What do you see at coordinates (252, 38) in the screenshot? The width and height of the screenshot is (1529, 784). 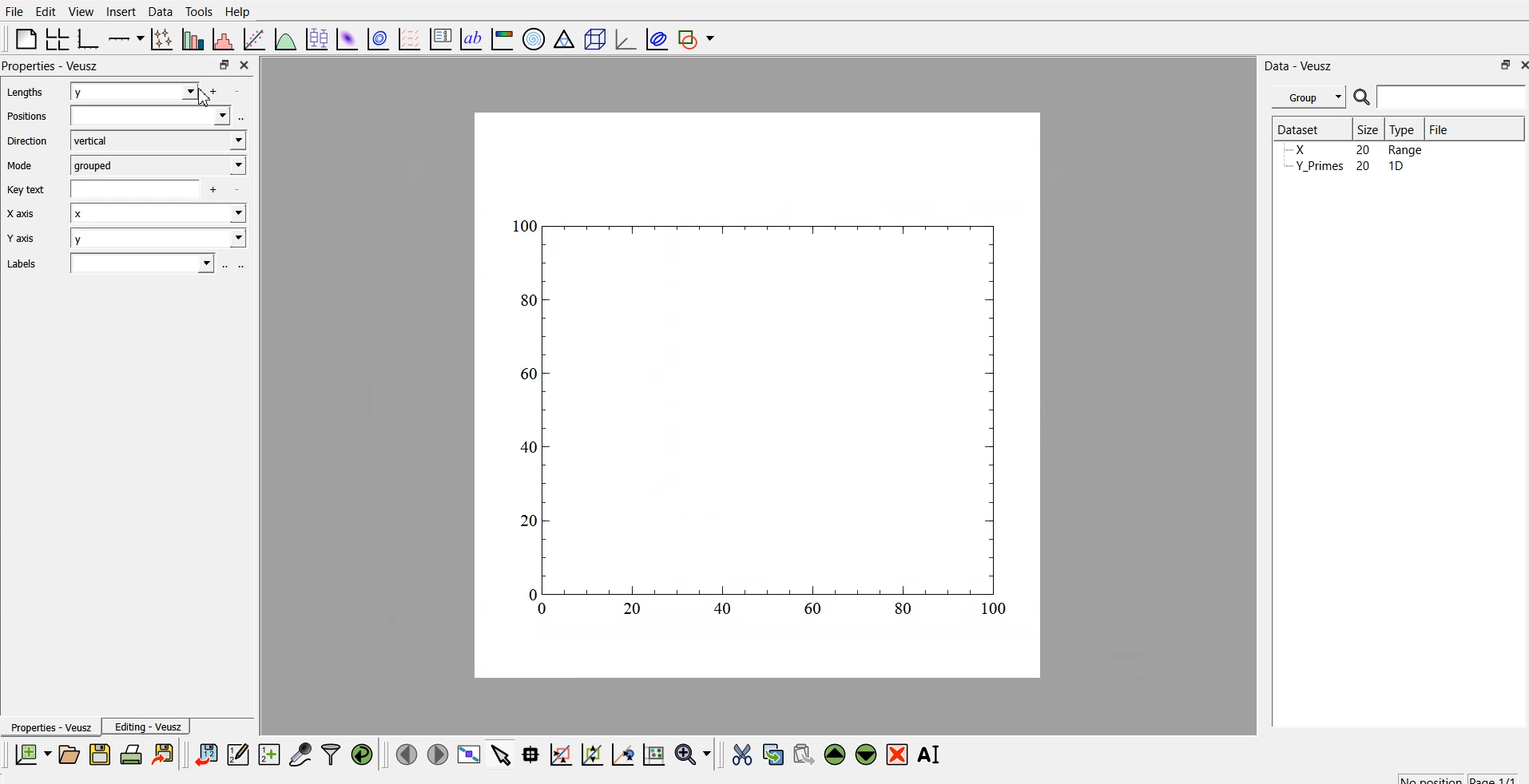 I see `fit function to data` at bounding box center [252, 38].